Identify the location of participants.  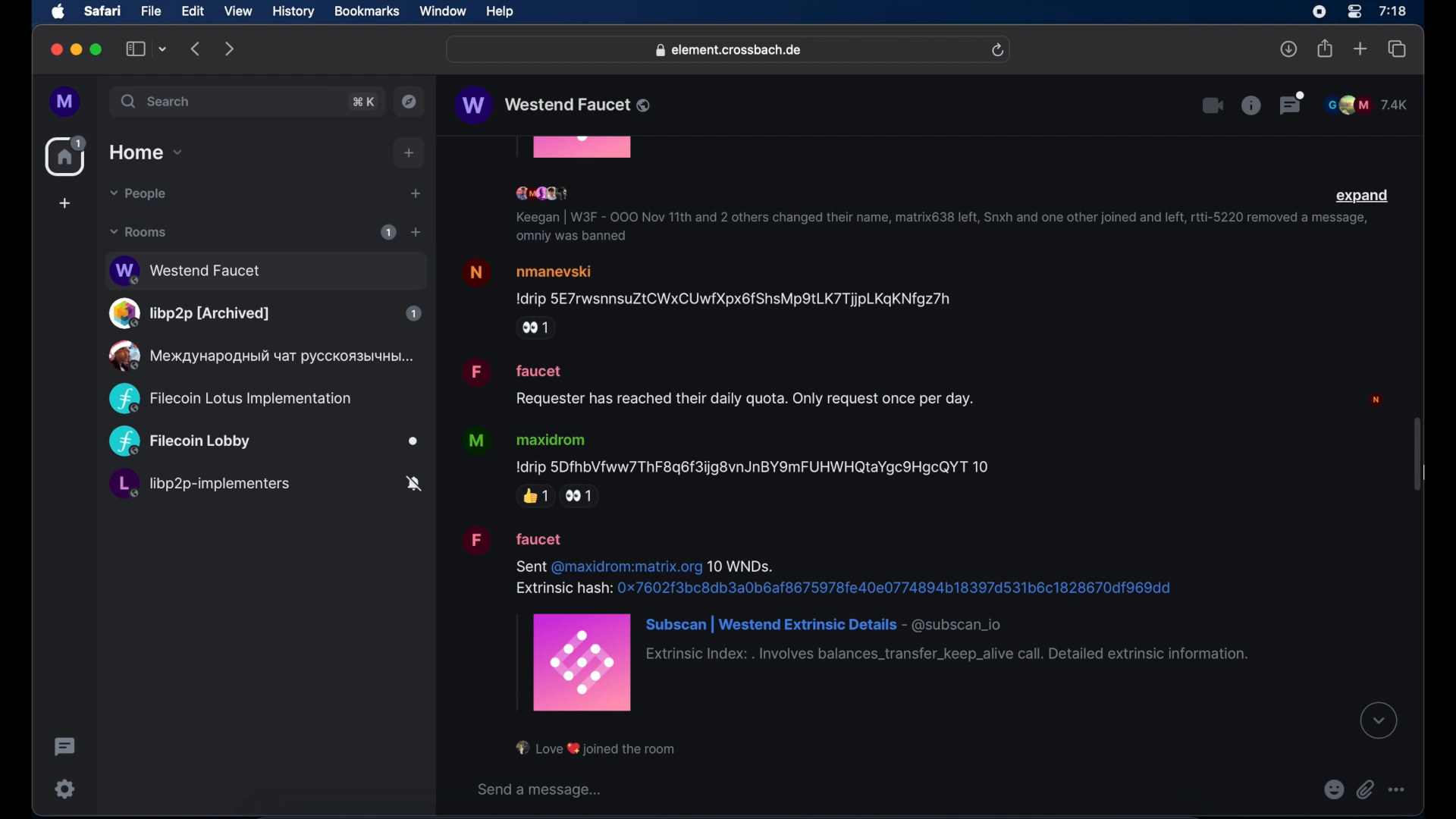
(545, 194).